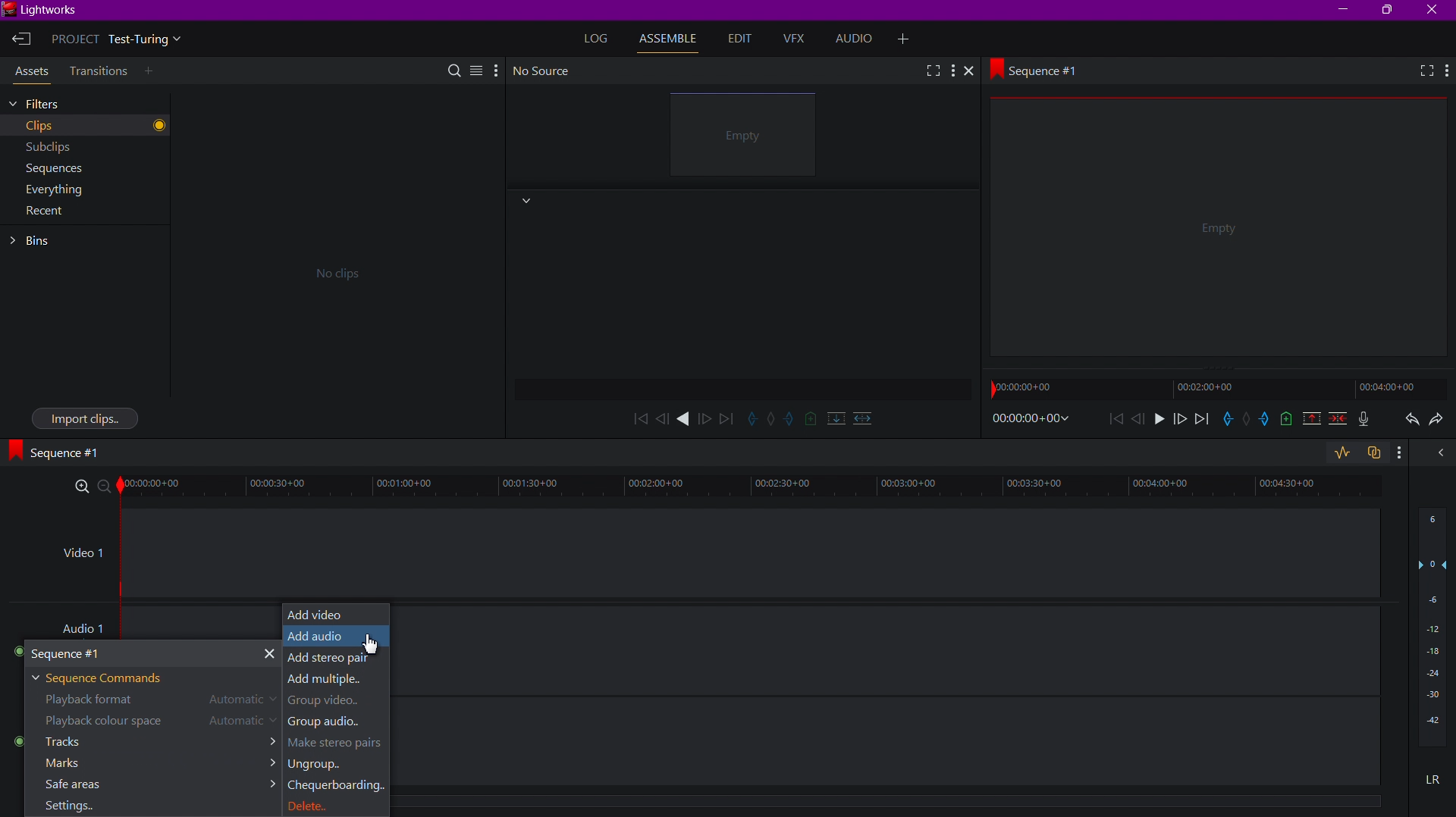  What do you see at coordinates (146, 765) in the screenshot?
I see `Marks` at bounding box center [146, 765].